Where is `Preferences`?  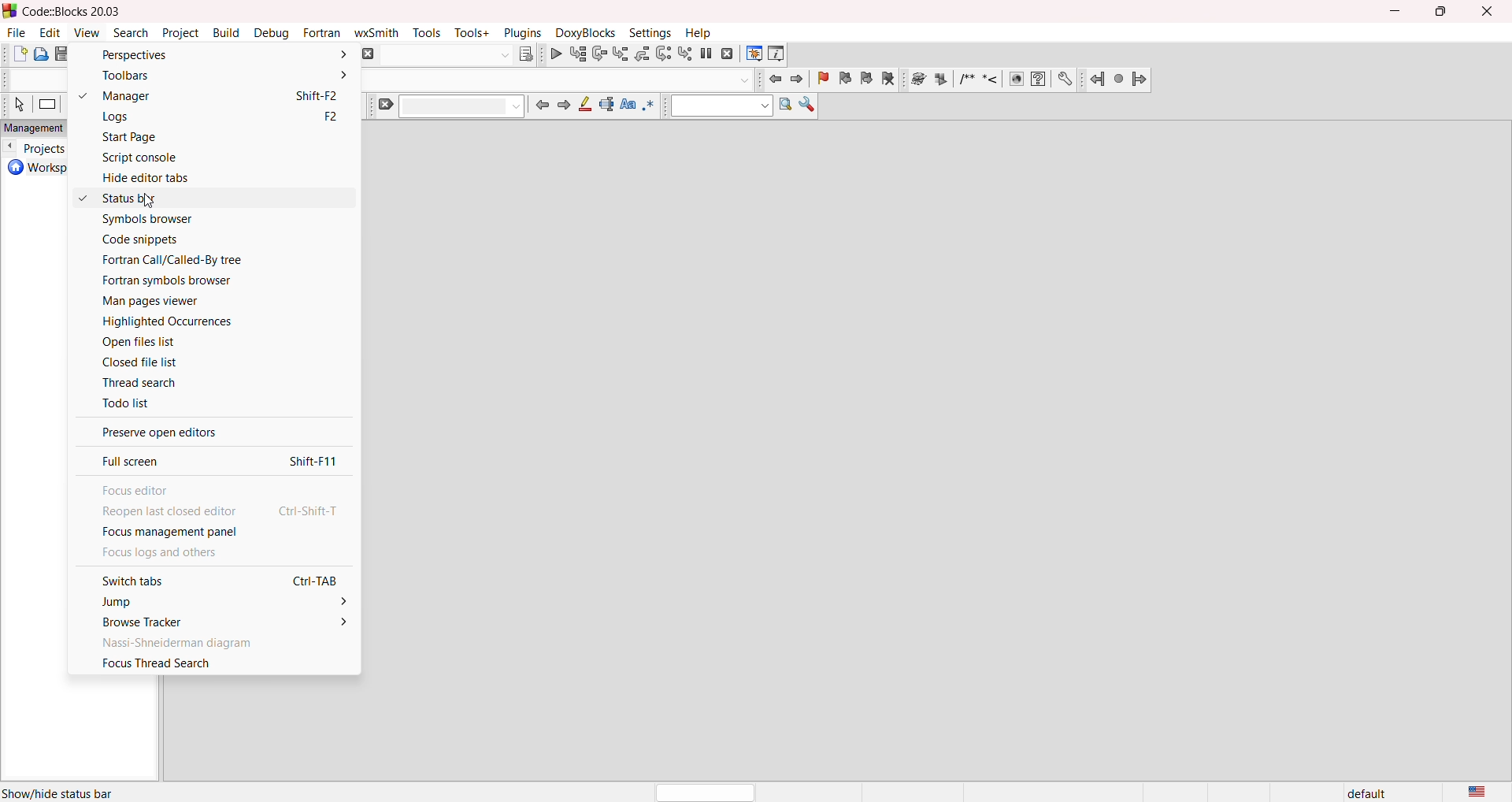
Preferences is located at coordinates (1066, 79).